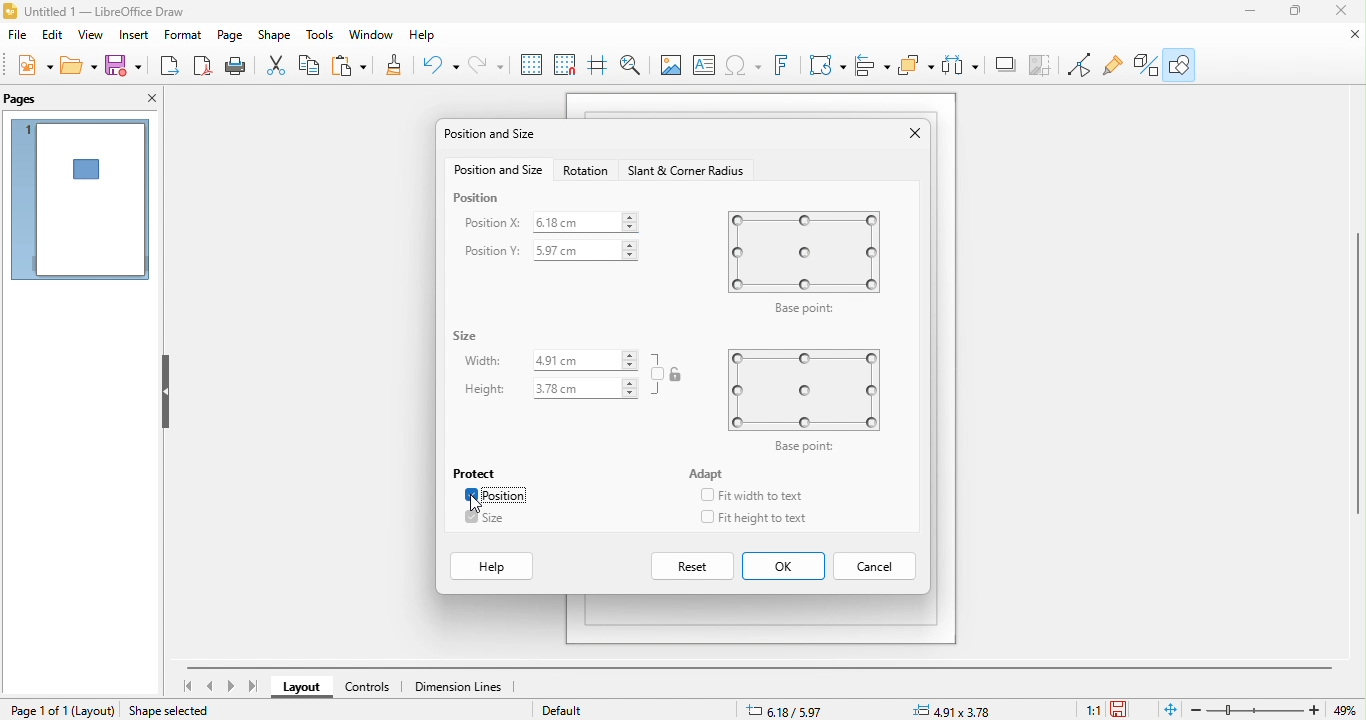 The image size is (1366, 720). Describe the element at coordinates (374, 687) in the screenshot. I see `controls` at that location.